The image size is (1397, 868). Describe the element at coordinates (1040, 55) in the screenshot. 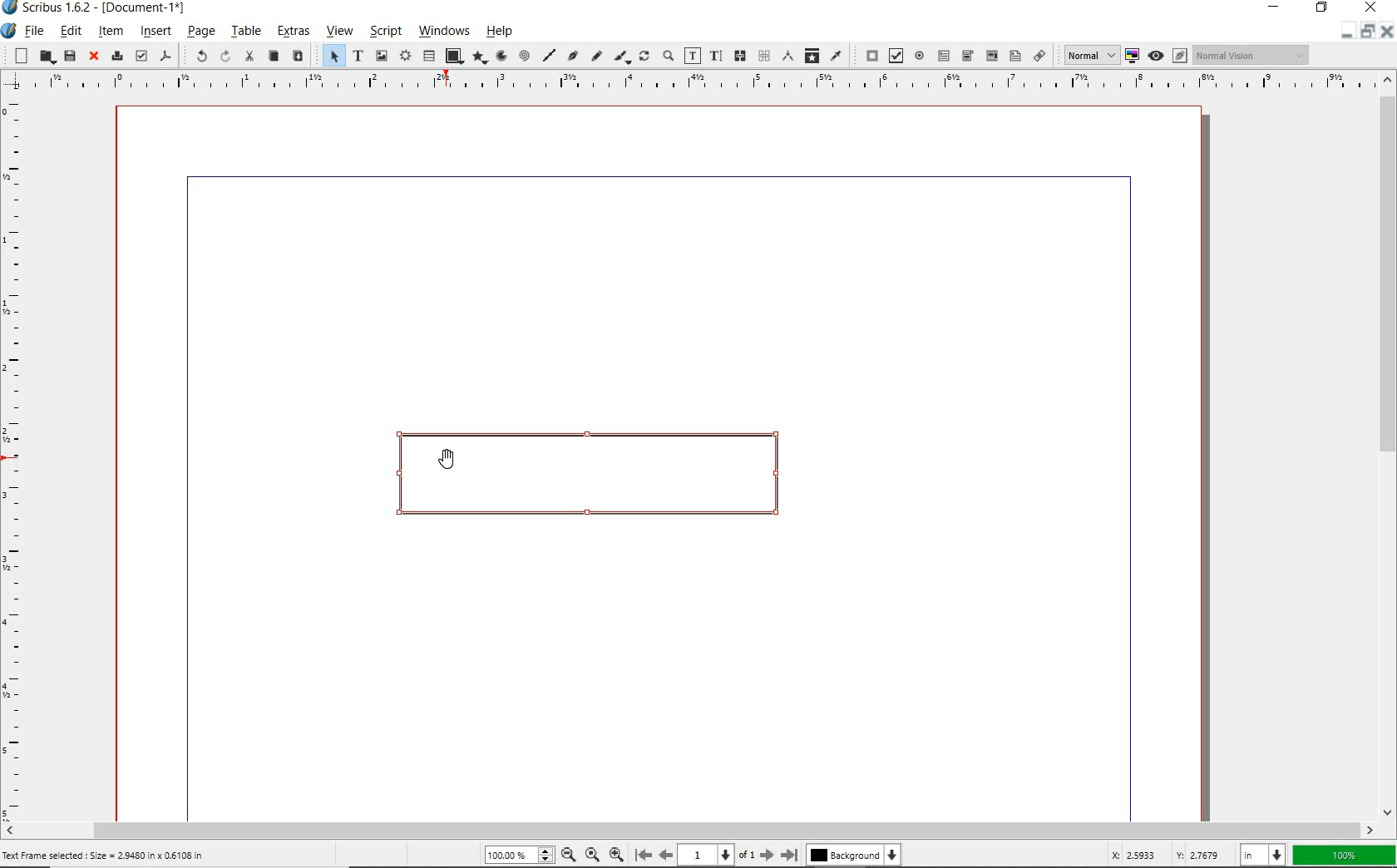

I see `link annotation` at that location.